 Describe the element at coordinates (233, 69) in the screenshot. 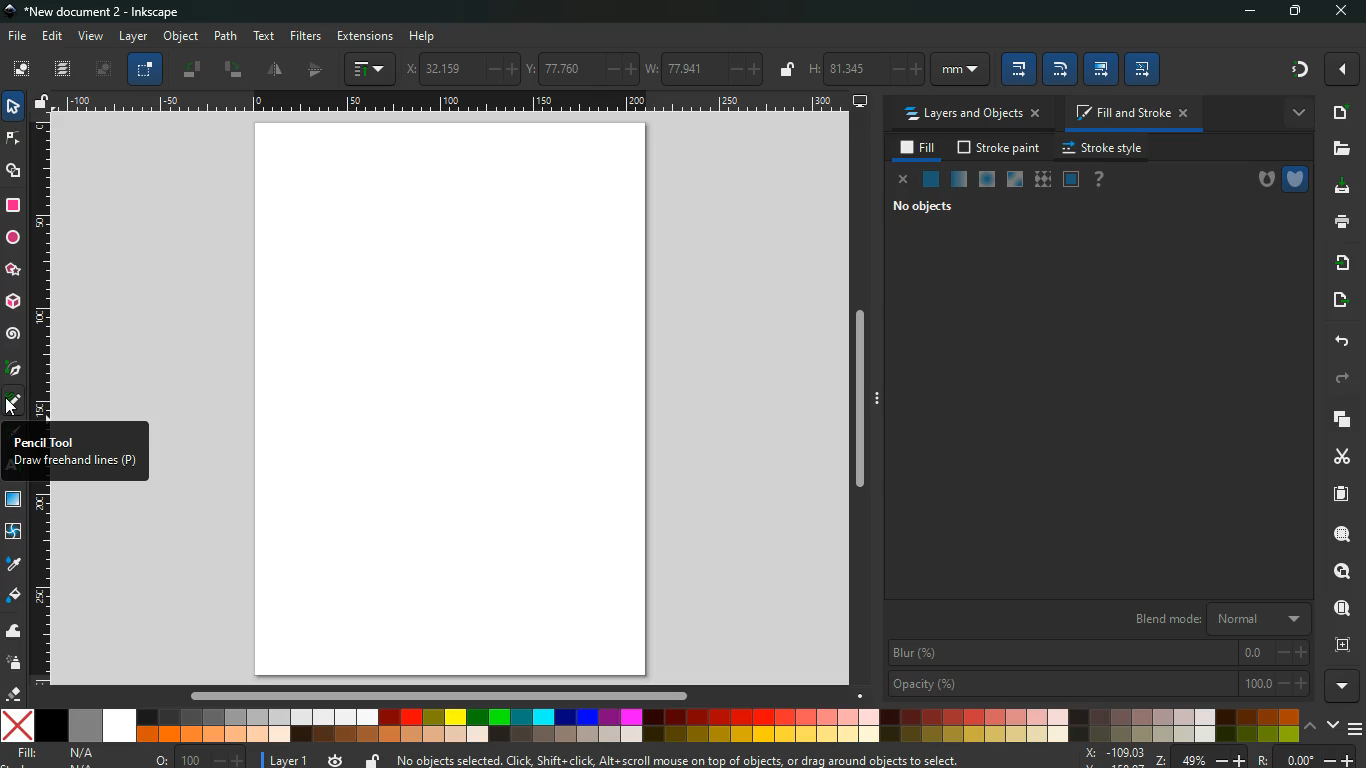

I see `tilt` at that location.